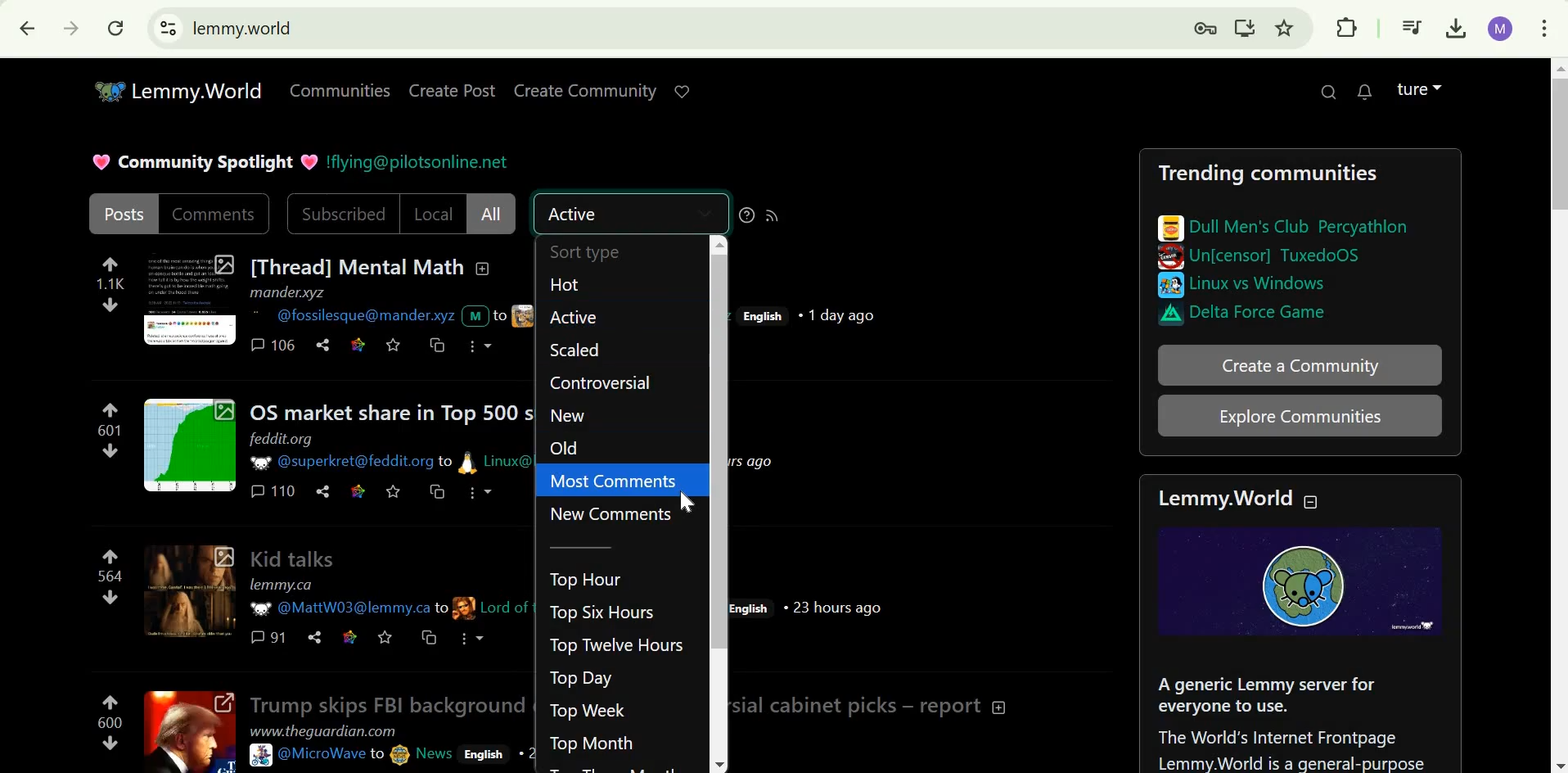 The height and width of the screenshot is (773, 1568). What do you see at coordinates (69, 28) in the screenshot?
I see `Click to go forwards, hold to see history` at bounding box center [69, 28].